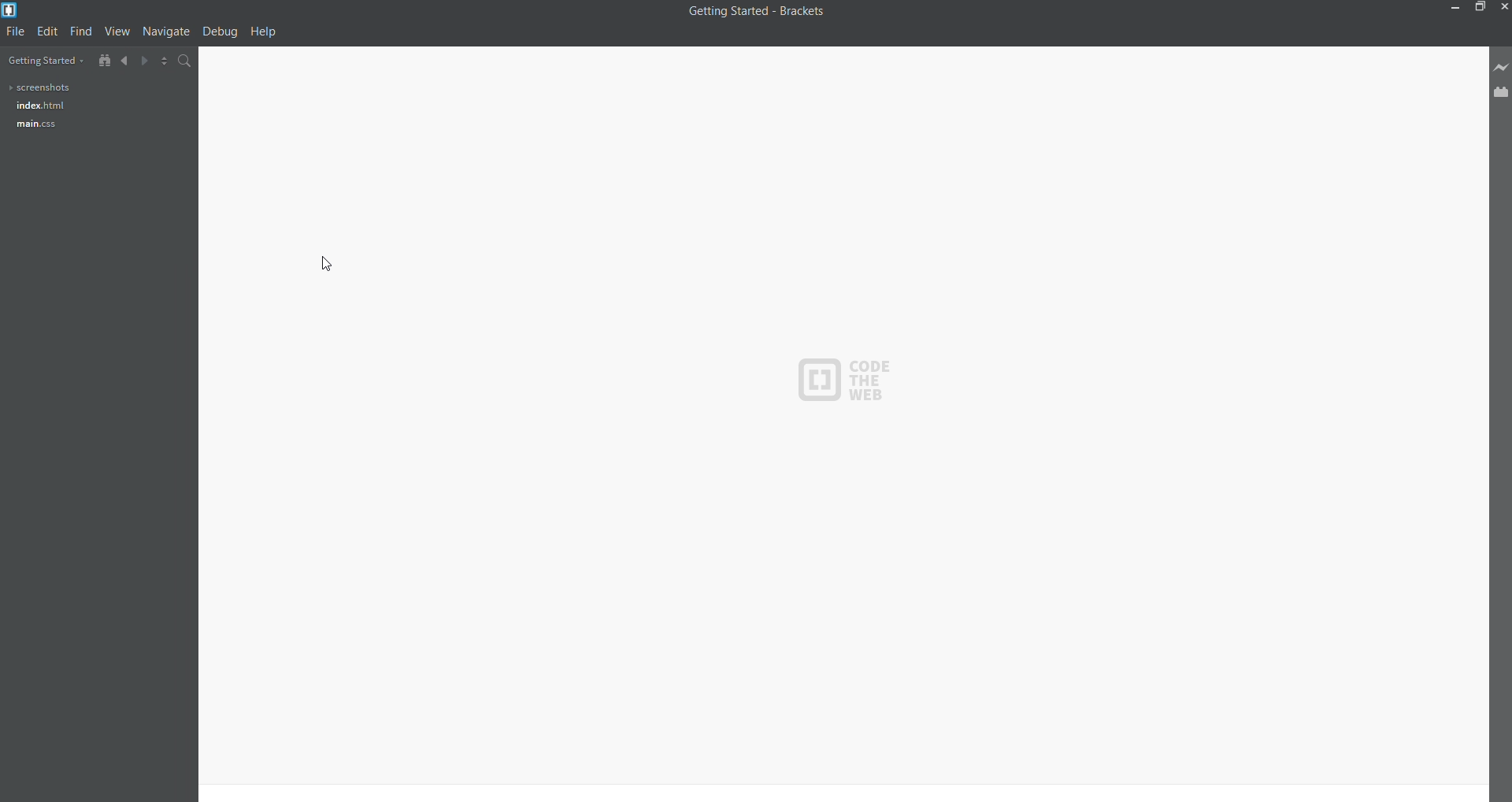  What do you see at coordinates (35, 124) in the screenshot?
I see `main css` at bounding box center [35, 124].